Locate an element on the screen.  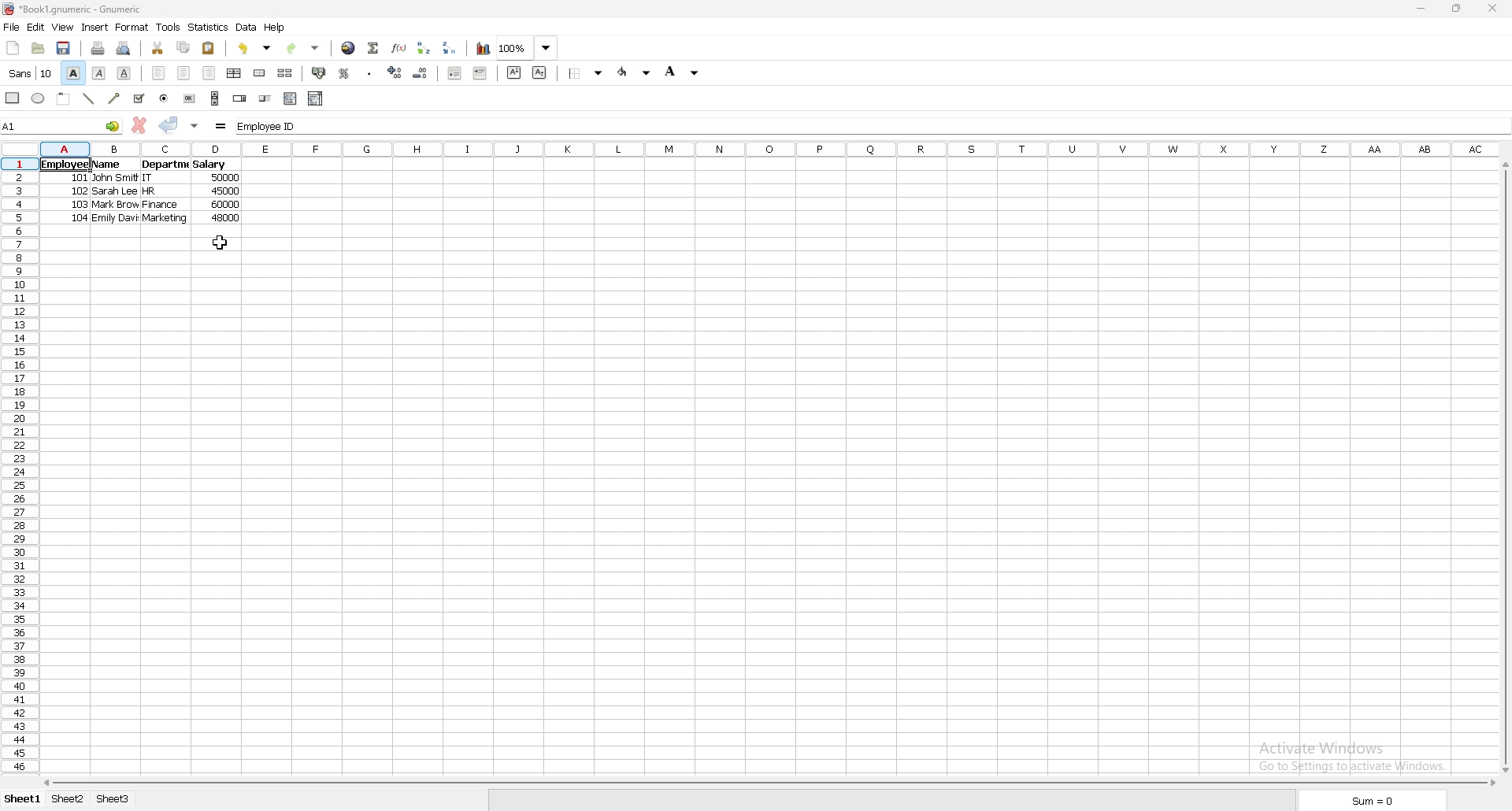
summation is located at coordinates (374, 48).